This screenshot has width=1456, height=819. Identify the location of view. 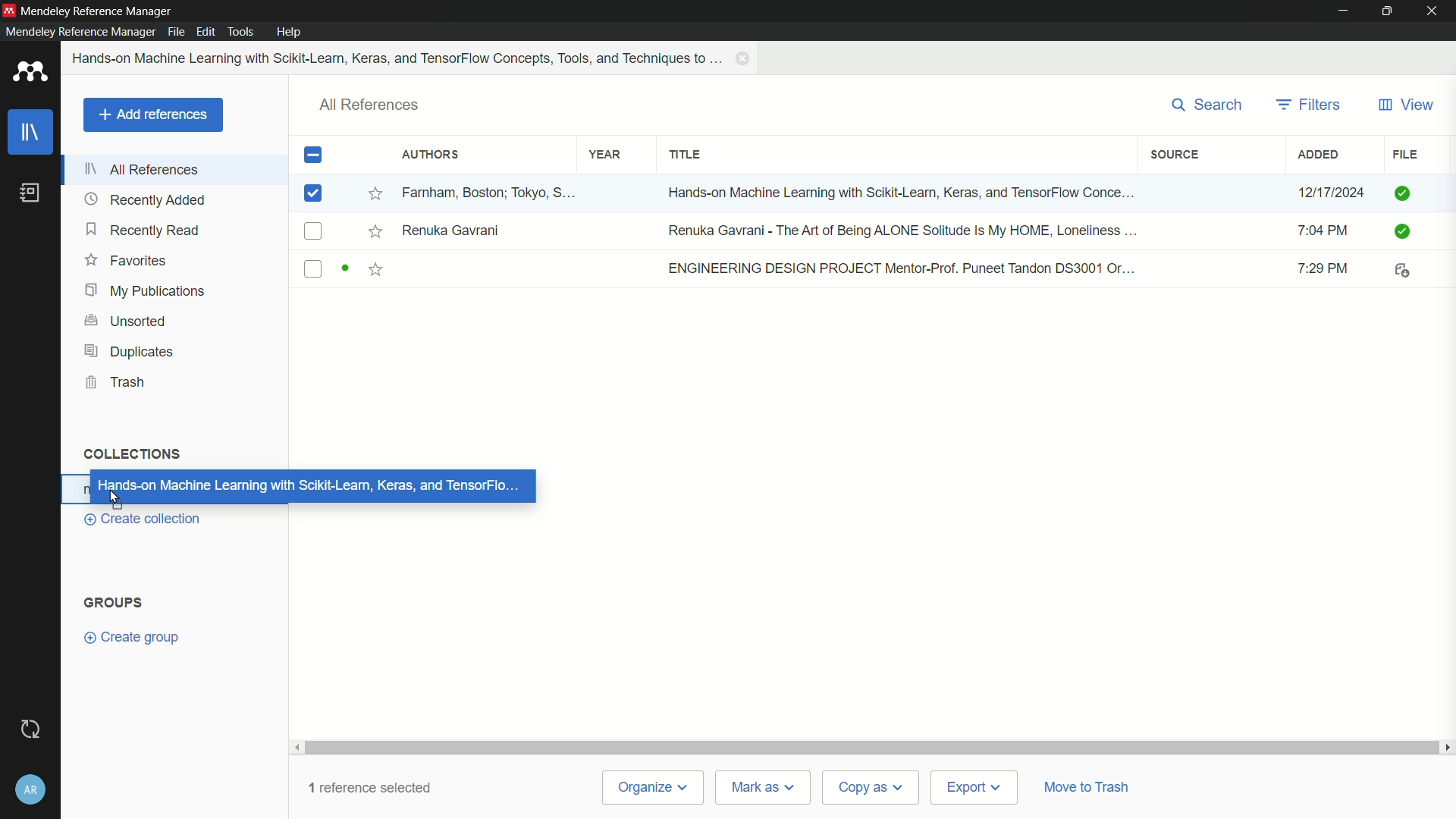
(1405, 105).